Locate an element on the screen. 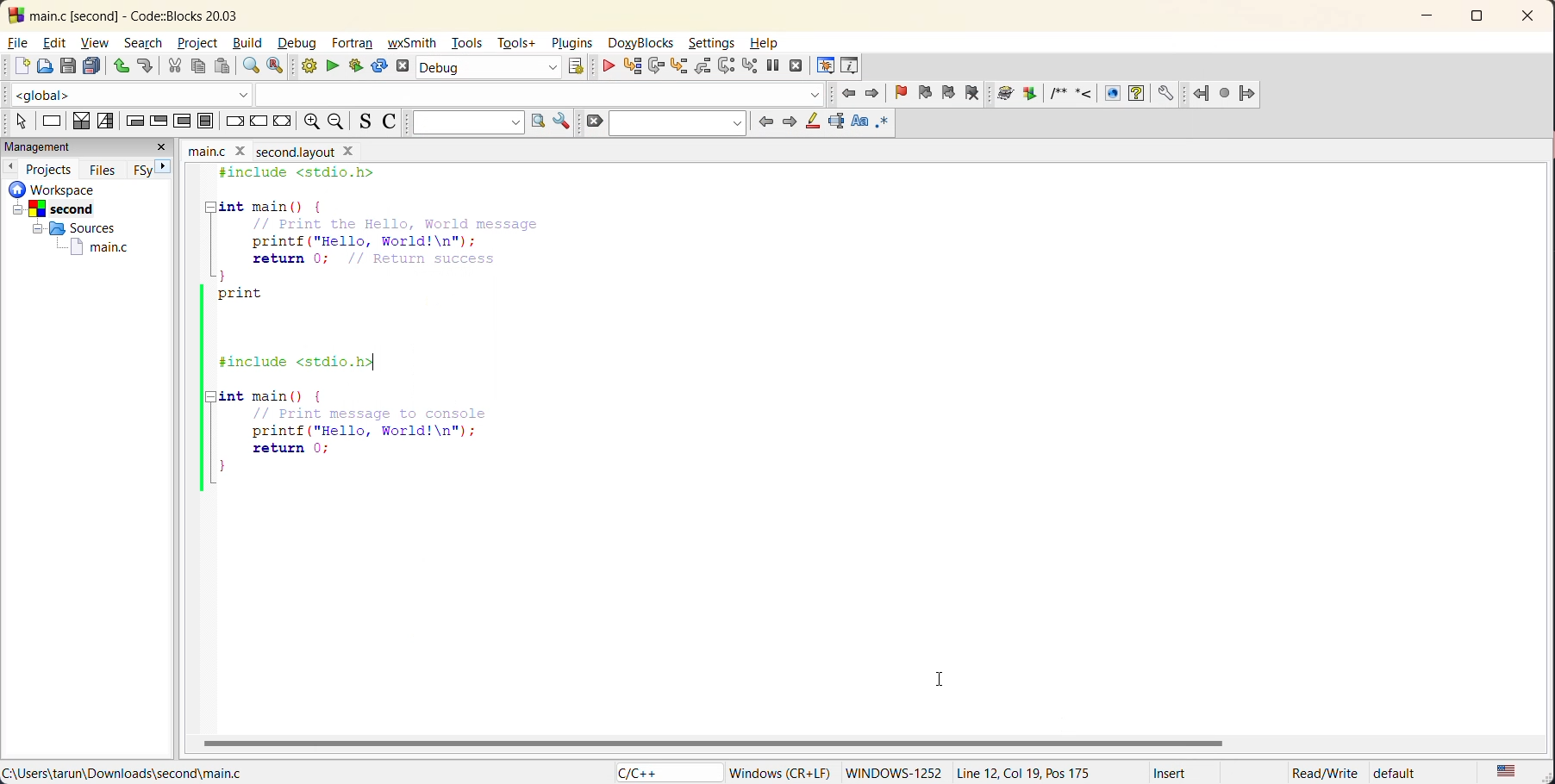  selection is located at coordinates (105, 122).